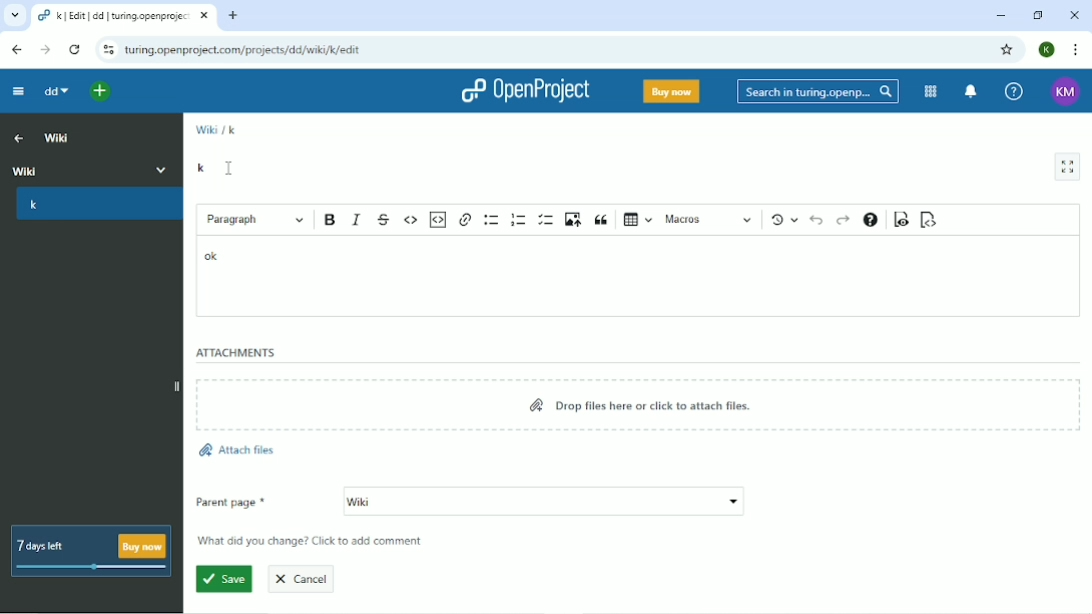 The image size is (1092, 614). I want to click on Link, so click(465, 219).